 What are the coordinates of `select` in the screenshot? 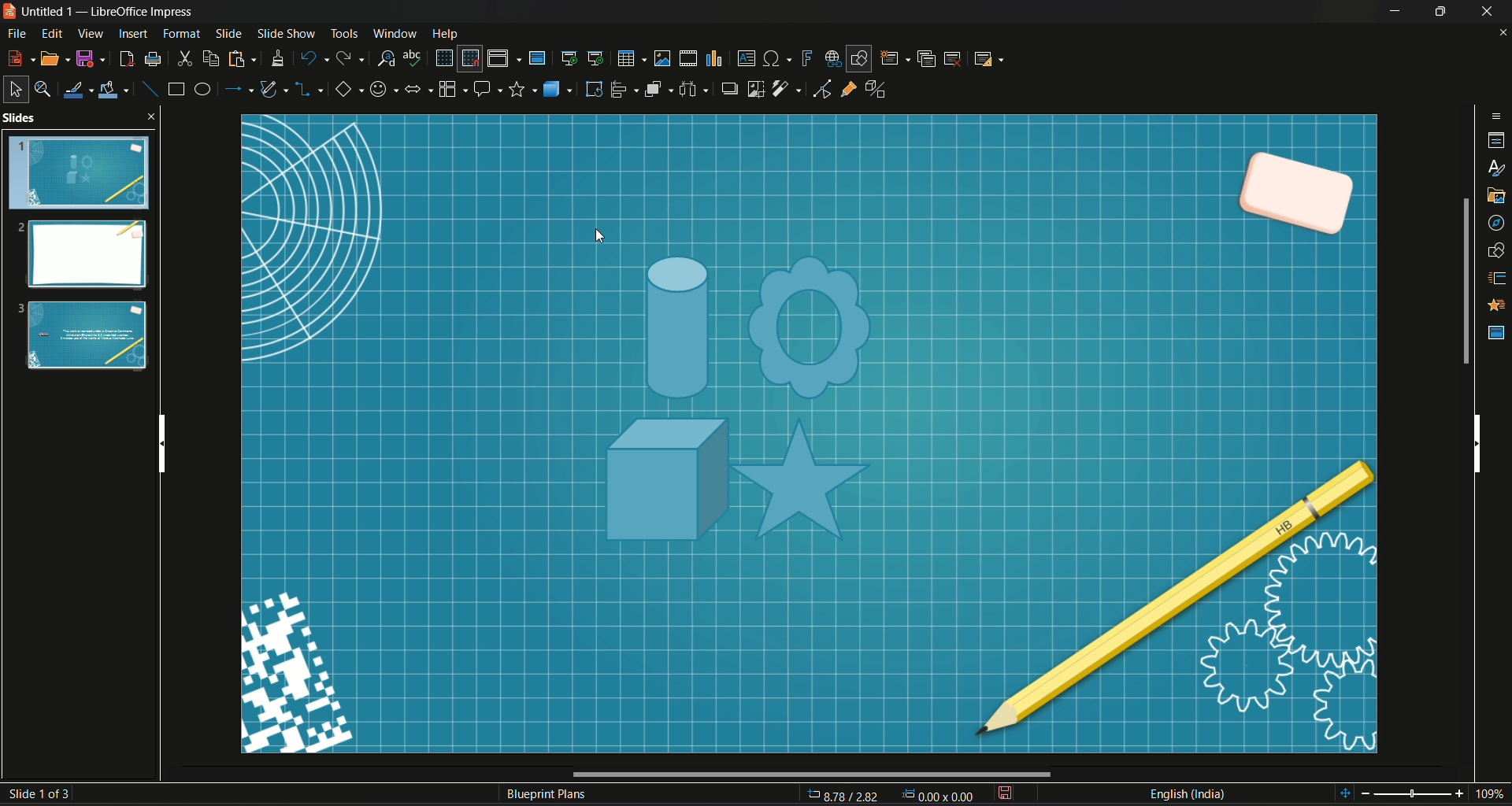 It's located at (13, 89).